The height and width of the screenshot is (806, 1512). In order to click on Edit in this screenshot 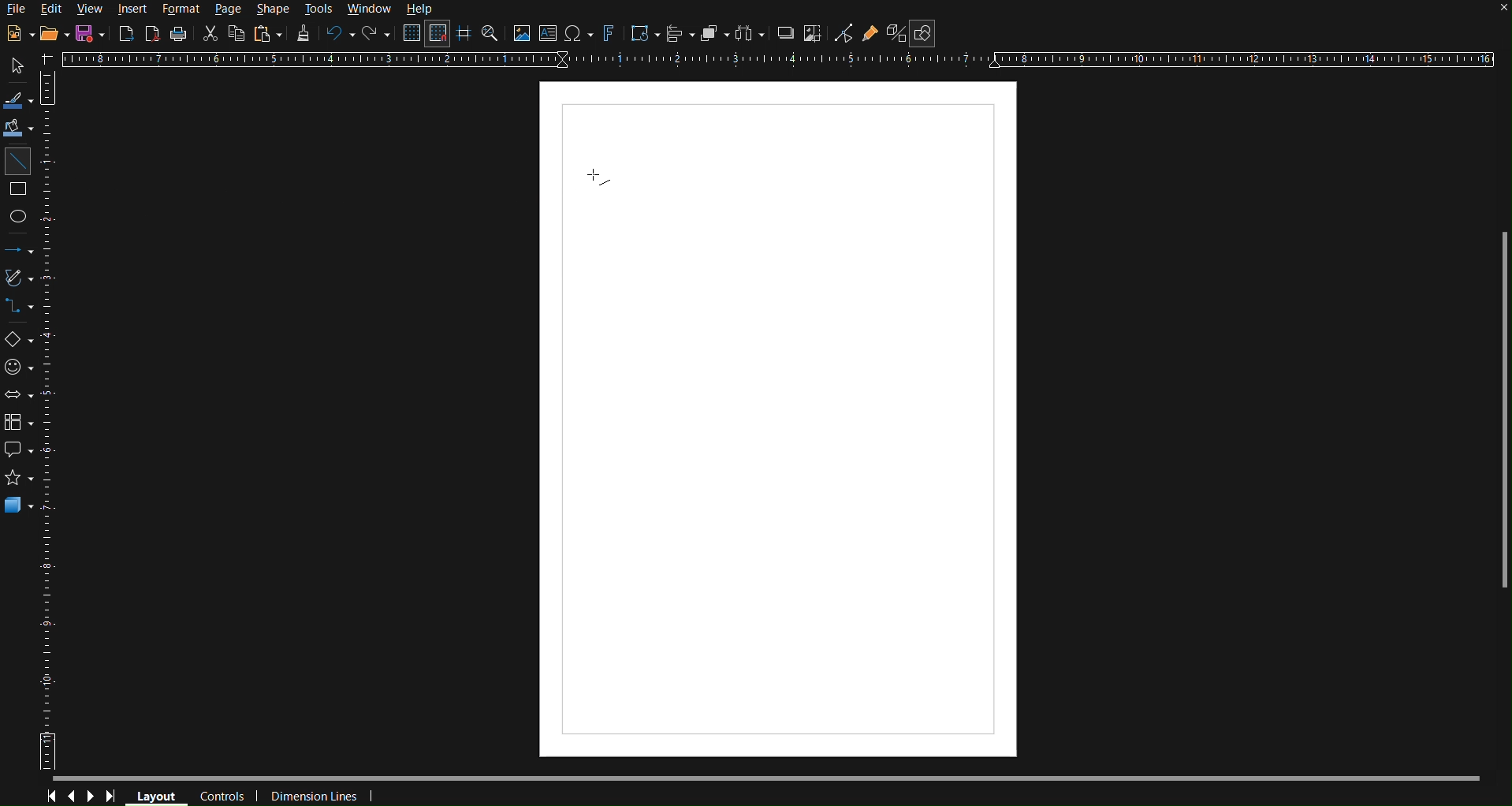, I will do `click(52, 9)`.